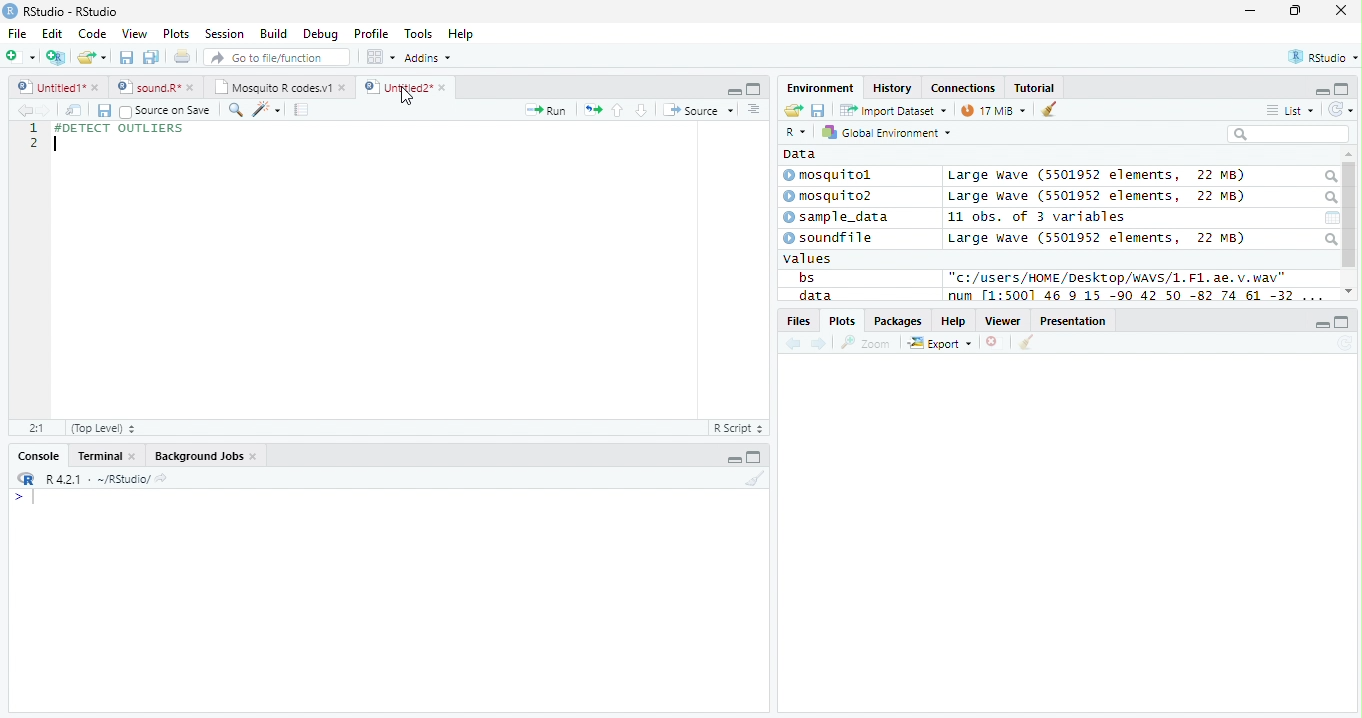 The width and height of the screenshot is (1362, 718). What do you see at coordinates (235, 110) in the screenshot?
I see `Find` at bounding box center [235, 110].